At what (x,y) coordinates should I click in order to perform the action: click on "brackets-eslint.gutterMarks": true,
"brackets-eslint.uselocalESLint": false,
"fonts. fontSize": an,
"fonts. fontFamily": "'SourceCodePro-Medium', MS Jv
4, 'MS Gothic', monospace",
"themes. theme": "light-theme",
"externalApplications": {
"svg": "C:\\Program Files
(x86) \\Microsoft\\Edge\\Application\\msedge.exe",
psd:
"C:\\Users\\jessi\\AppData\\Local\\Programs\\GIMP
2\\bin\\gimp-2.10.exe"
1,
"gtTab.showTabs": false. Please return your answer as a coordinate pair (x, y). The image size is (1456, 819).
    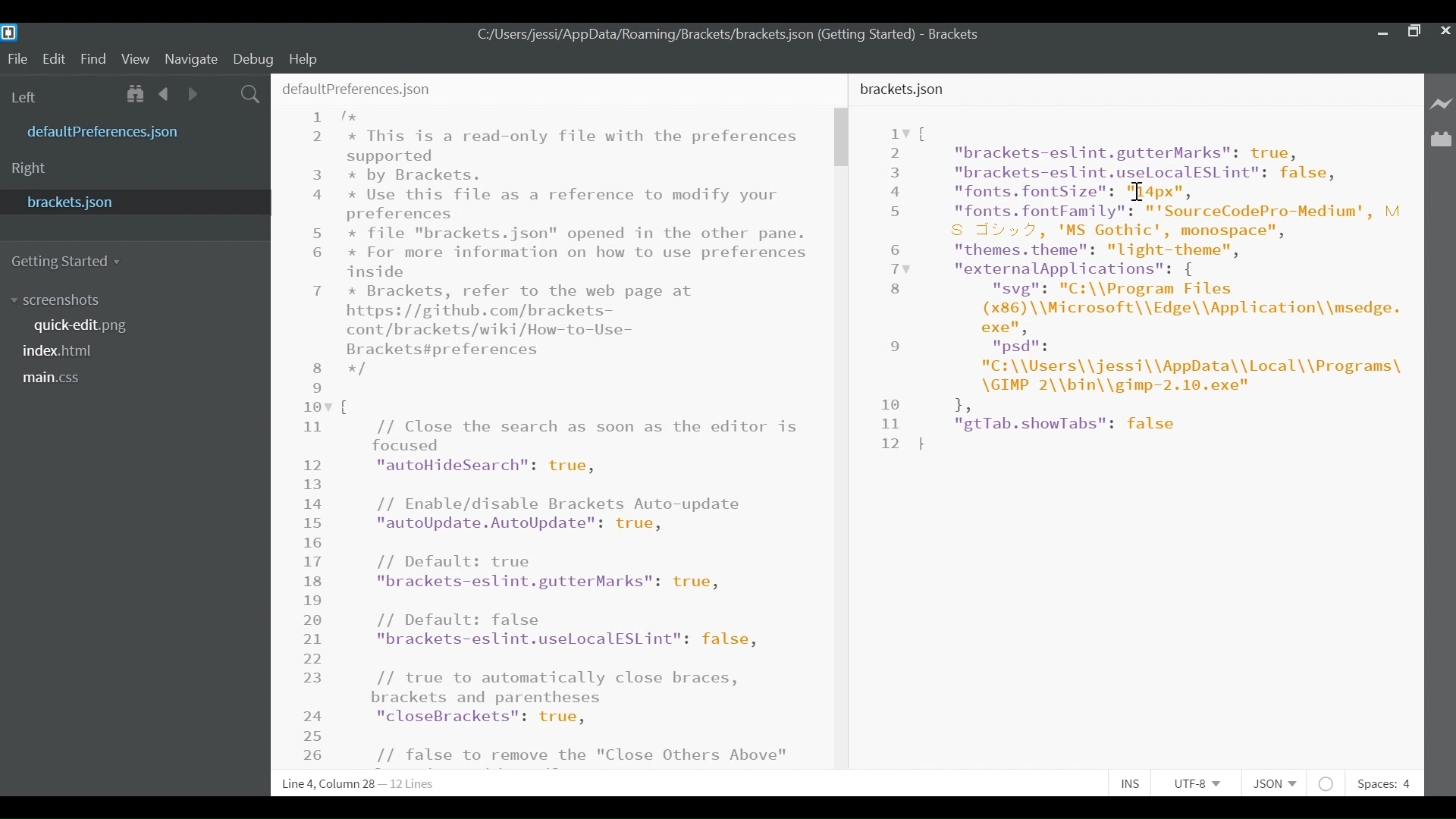
    Looking at the image, I should click on (1158, 287).